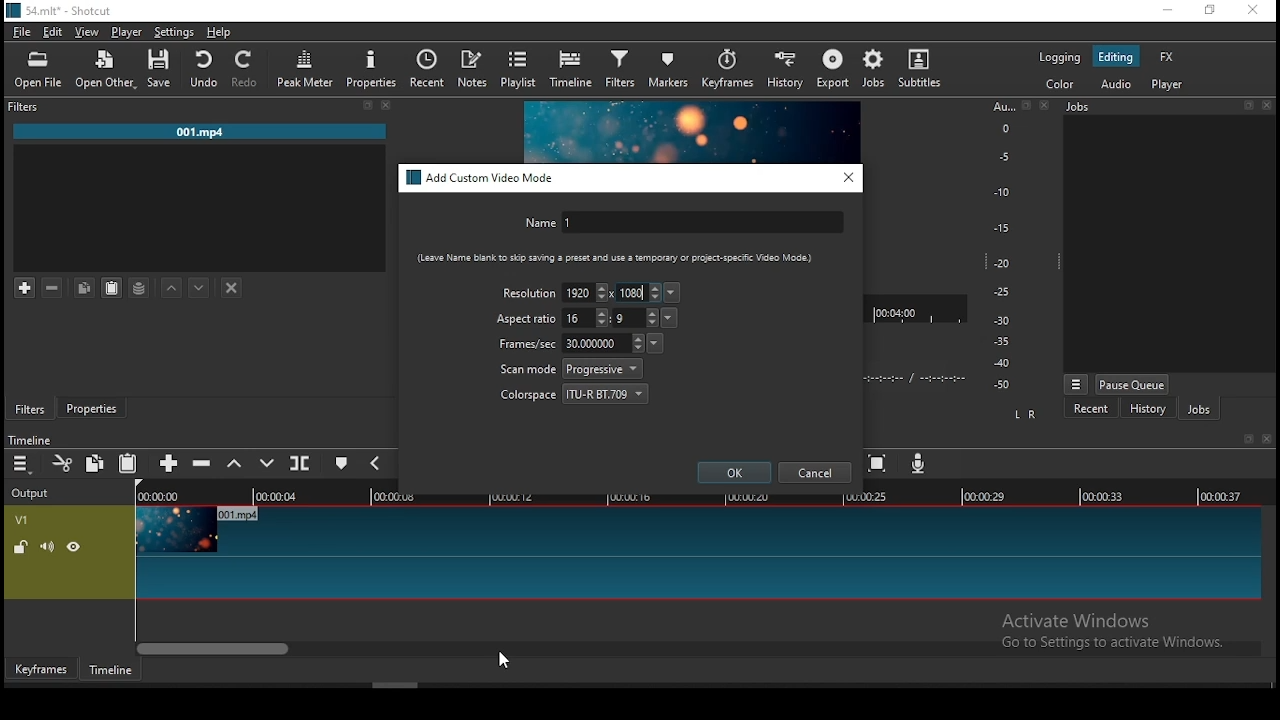  Describe the element at coordinates (47, 546) in the screenshot. I see `volume` at that location.